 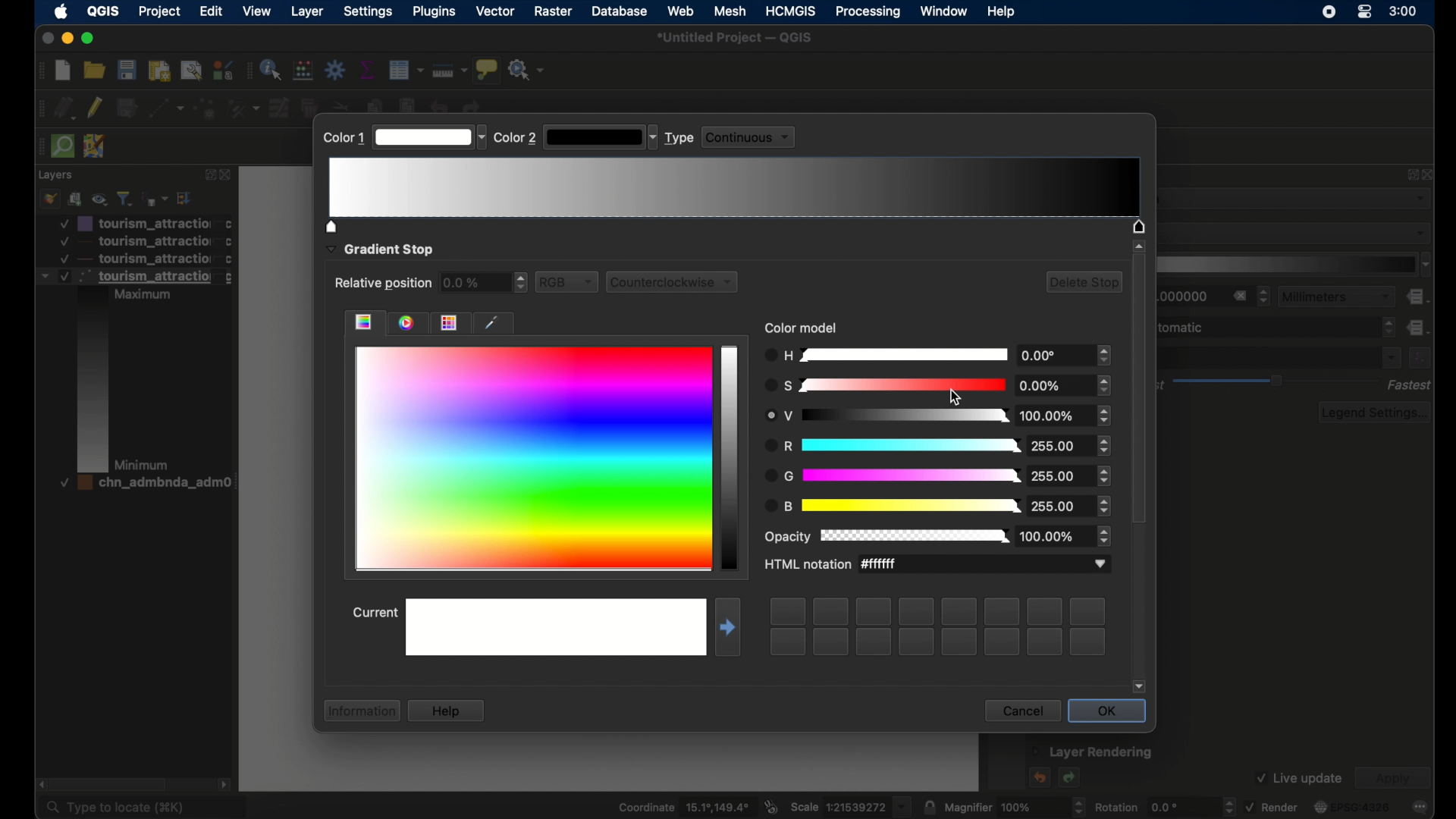 What do you see at coordinates (407, 70) in the screenshot?
I see `open attribute table` at bounding box center [407, 70].